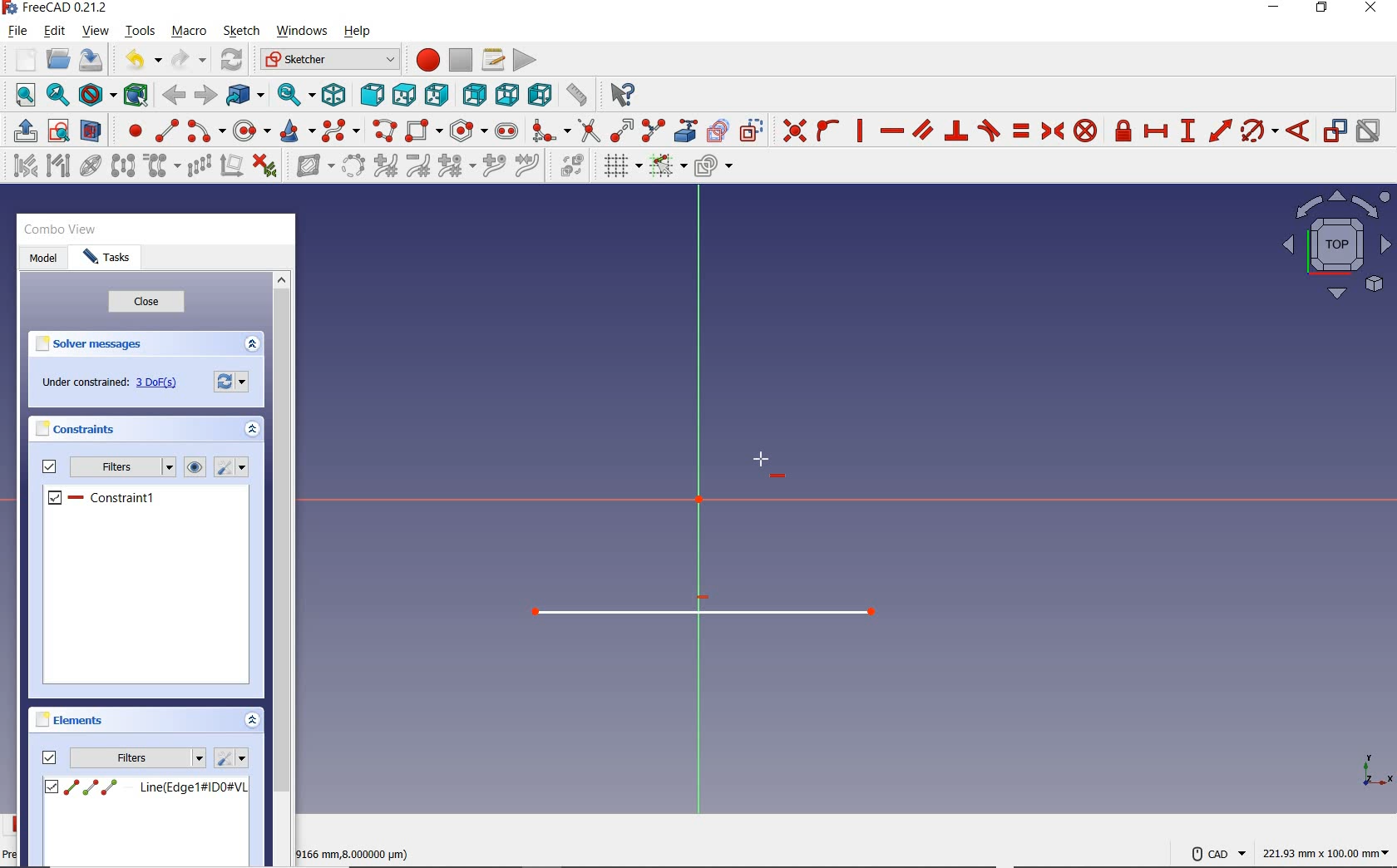  Describe the element at coordinates (528, 165) in the screenshot. I see `JOIN CURVES` at that location.